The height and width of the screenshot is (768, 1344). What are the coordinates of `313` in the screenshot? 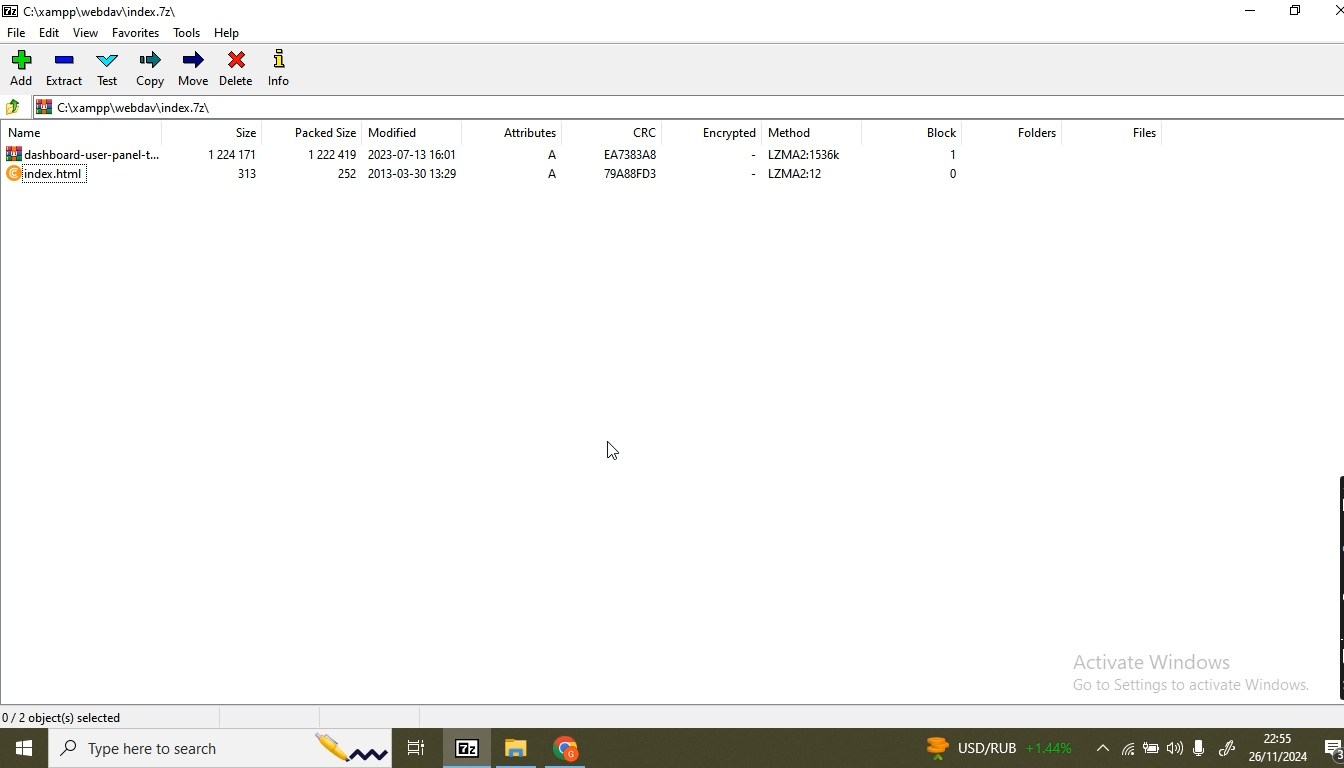 It's located at (249, 175).